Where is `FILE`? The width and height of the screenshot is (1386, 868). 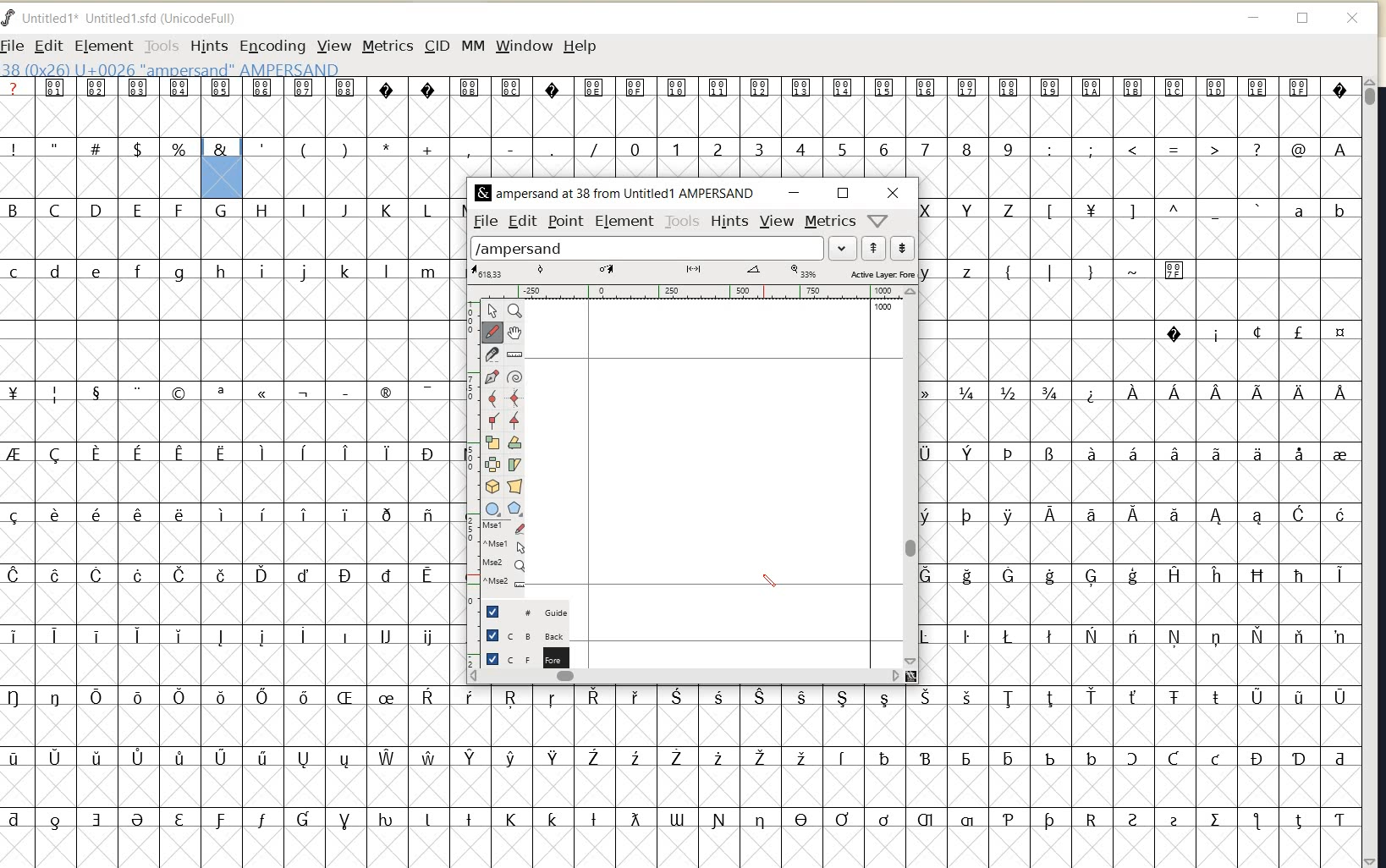 FILE is located at coordinates (486, 220).